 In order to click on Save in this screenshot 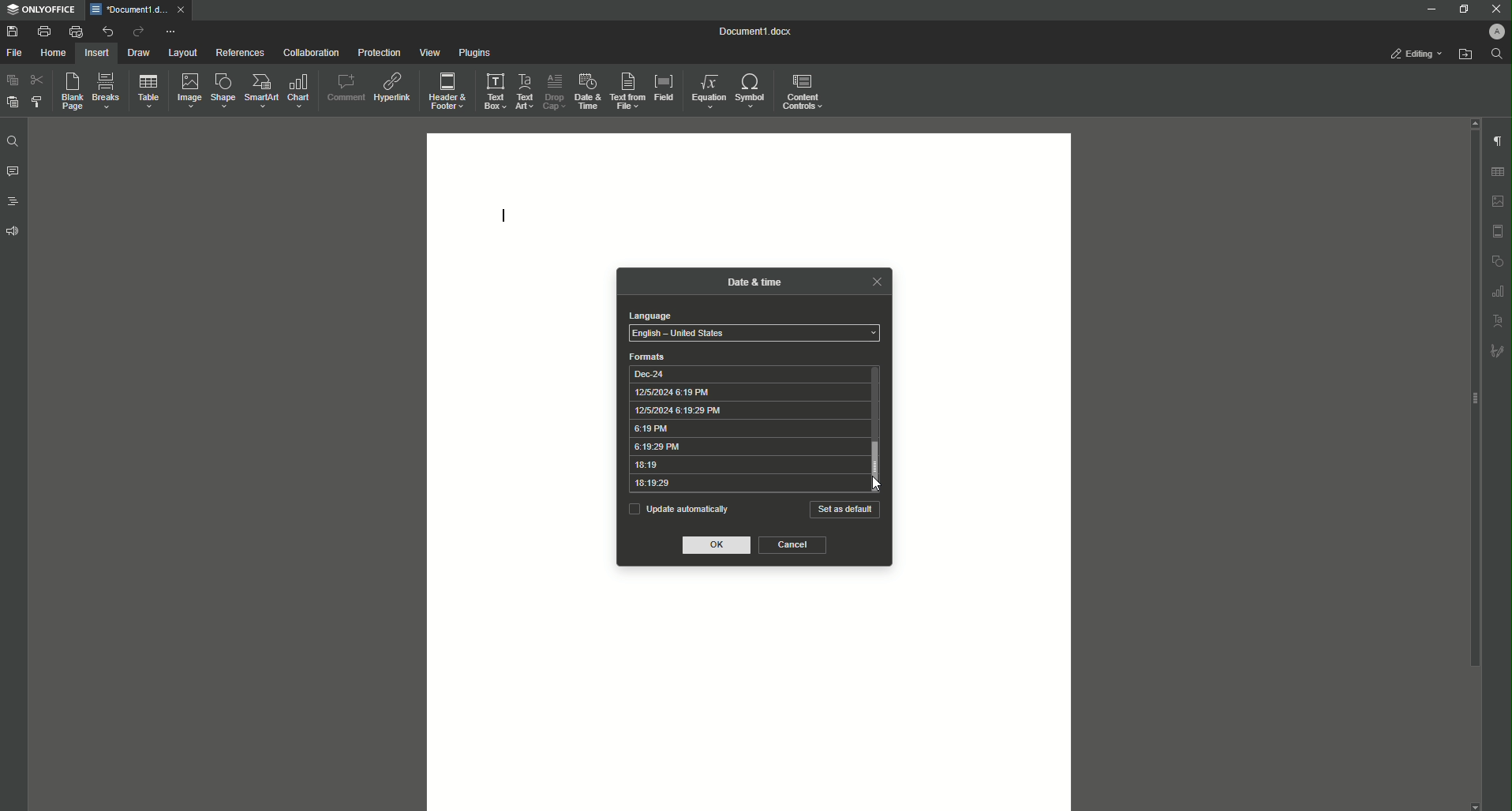, I will do `click(12, 31)`.